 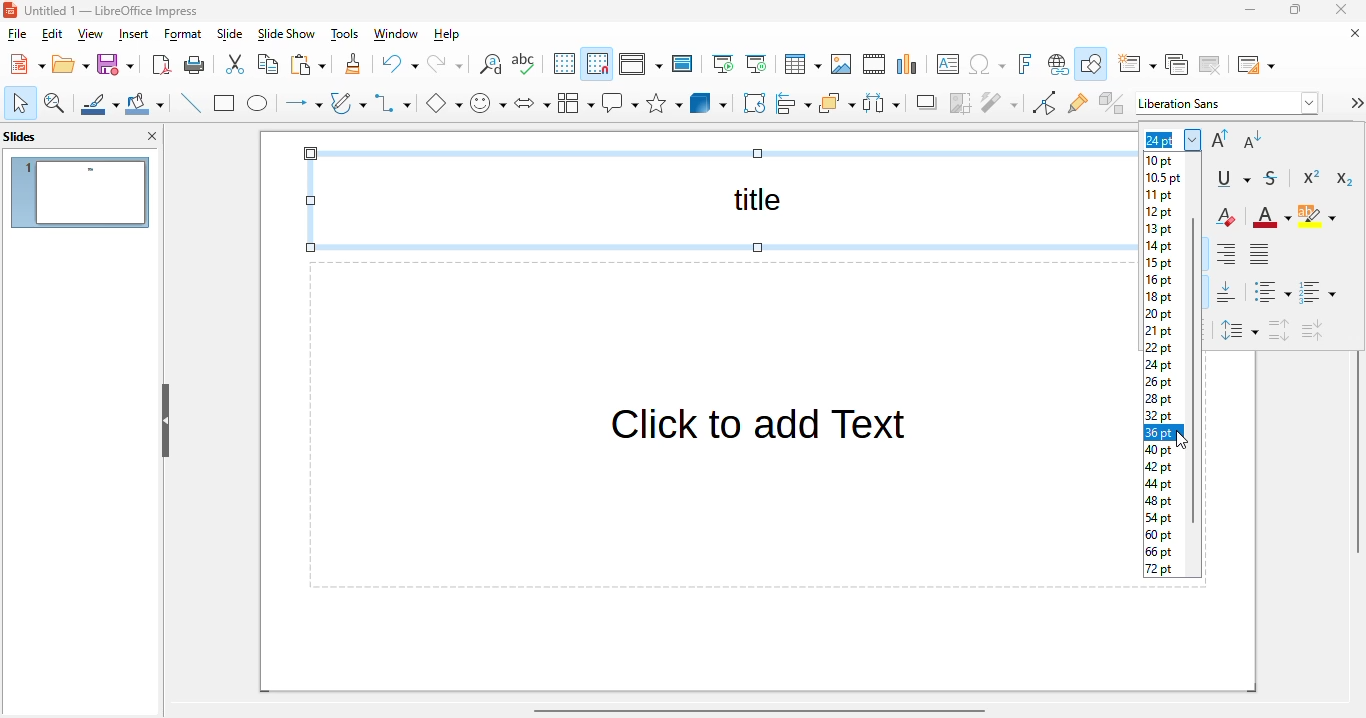 What do you see at coordinates (1159, 264) in the screenshot?
I see `15 pt` at bounding box center [1159, 264].